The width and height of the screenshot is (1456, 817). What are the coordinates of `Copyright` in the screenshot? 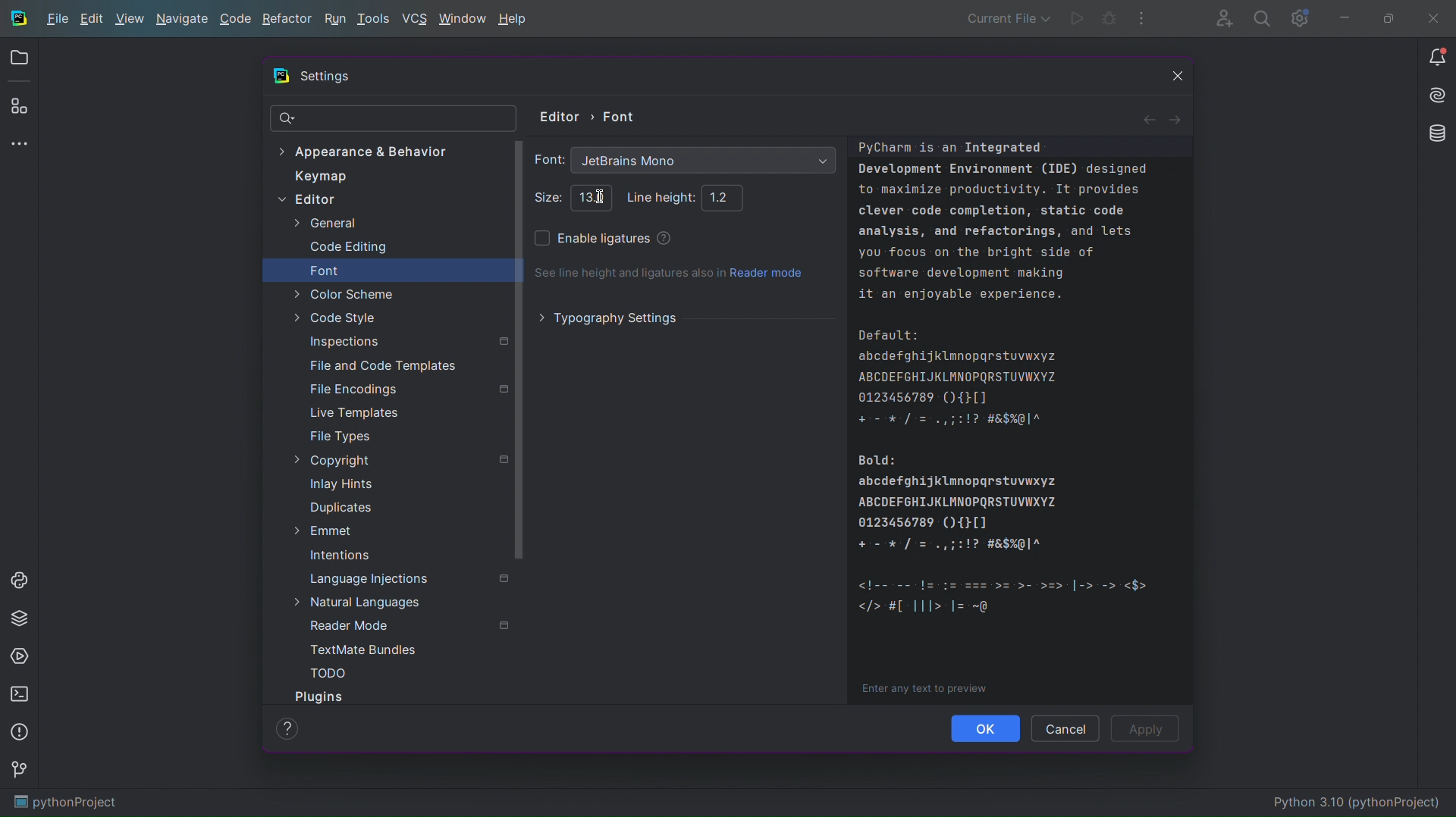 It's located at (391, 462).